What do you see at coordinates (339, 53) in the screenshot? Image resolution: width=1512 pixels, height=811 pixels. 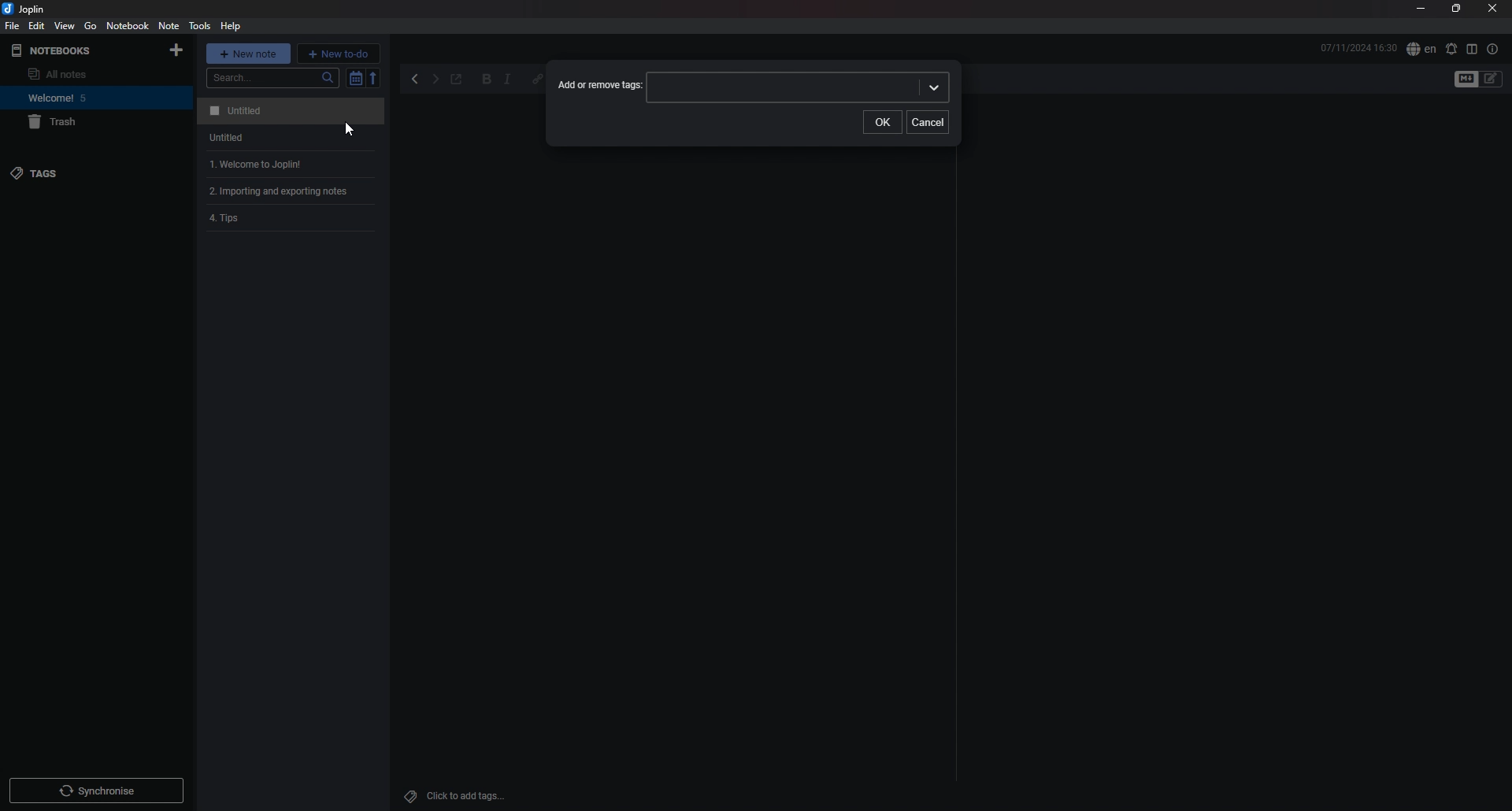 I see `new todo` at bounding box center [339, 53].